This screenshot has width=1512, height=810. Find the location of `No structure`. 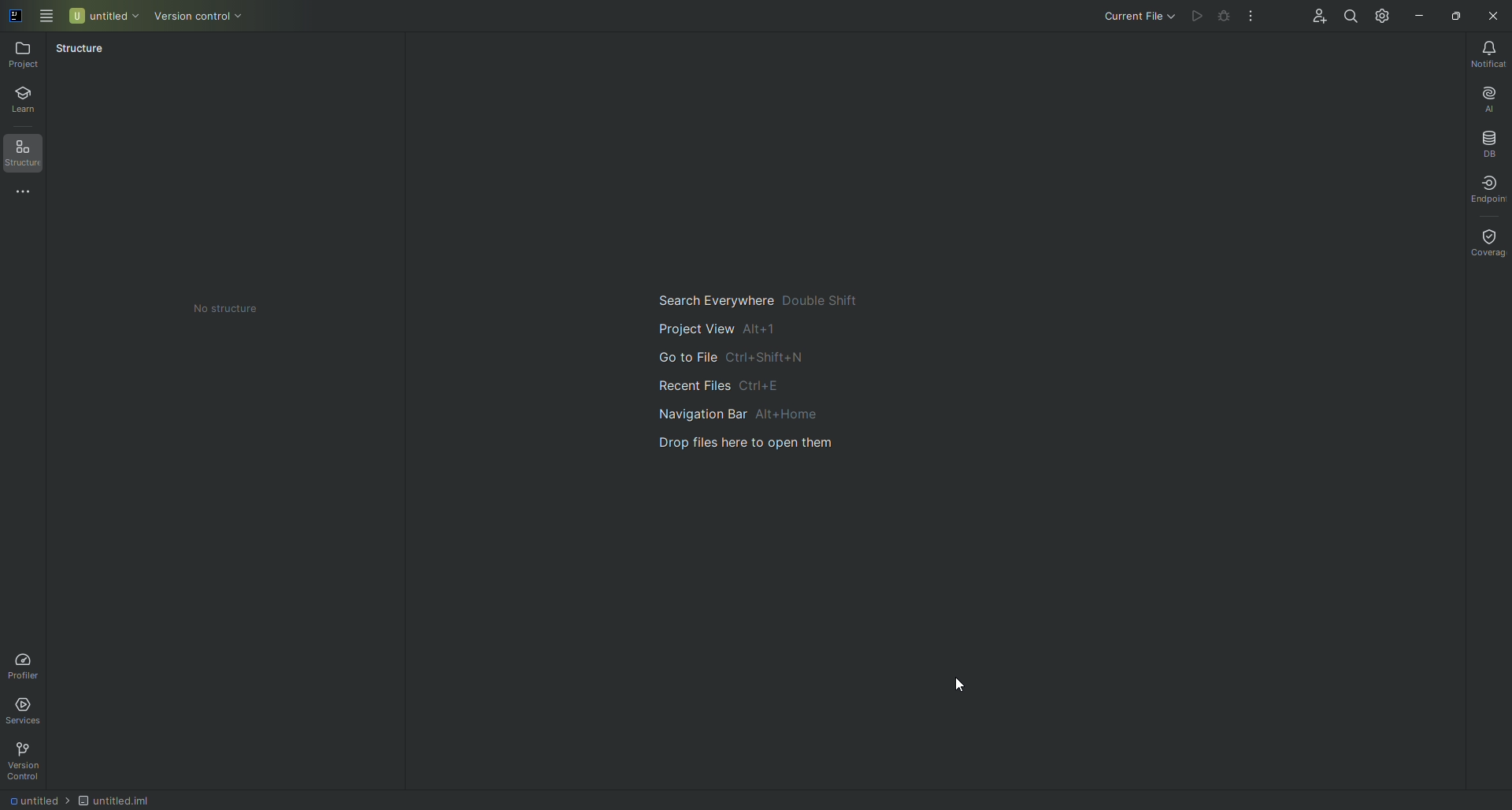

No structure is located at coordinates (227, 310).